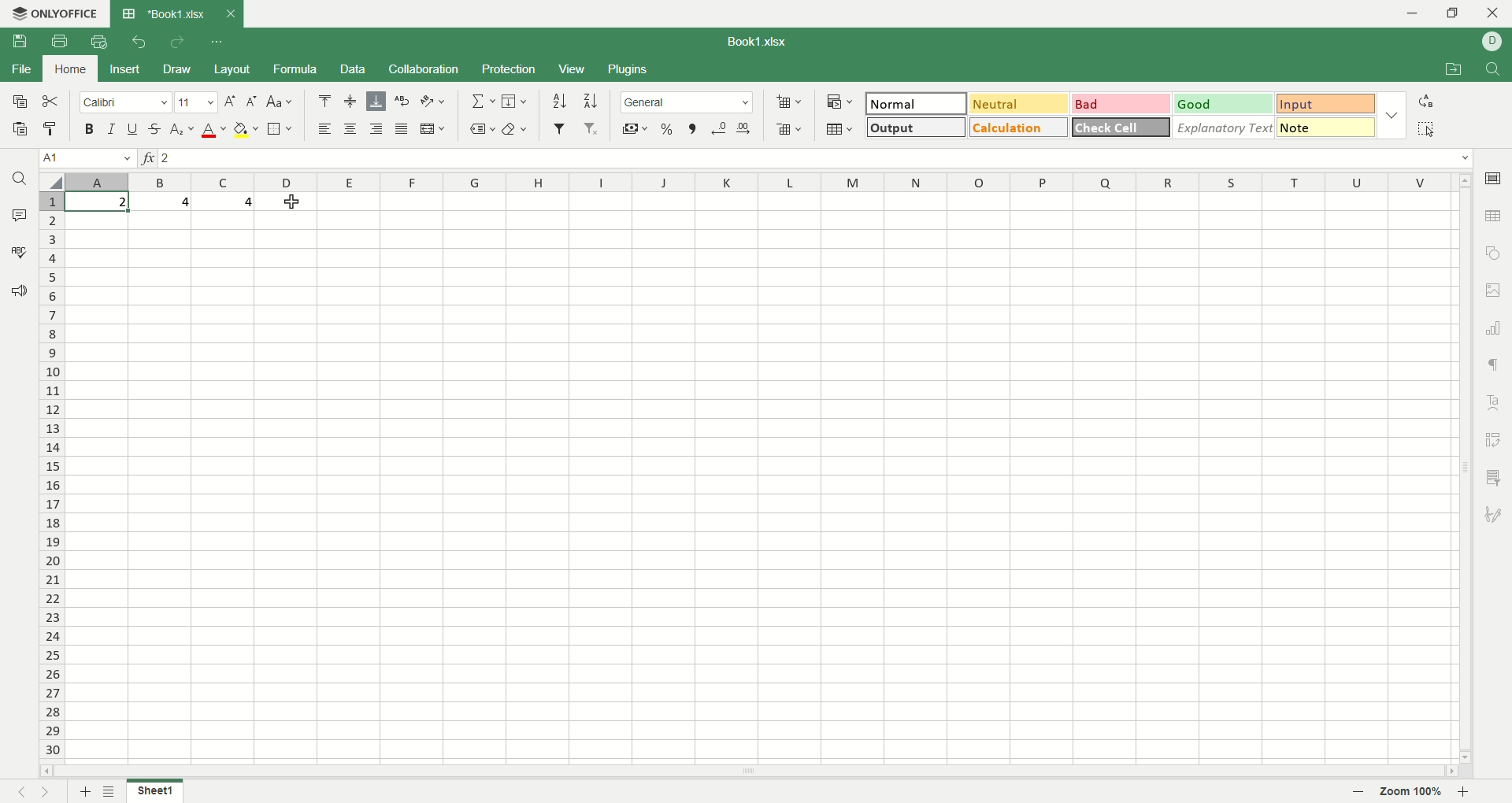 The height and width of the screenshot is (803, 1512). What do you see at coordinates (1325, 102) in the screenshot?
I see `input` at bounding box center [1325, 102].